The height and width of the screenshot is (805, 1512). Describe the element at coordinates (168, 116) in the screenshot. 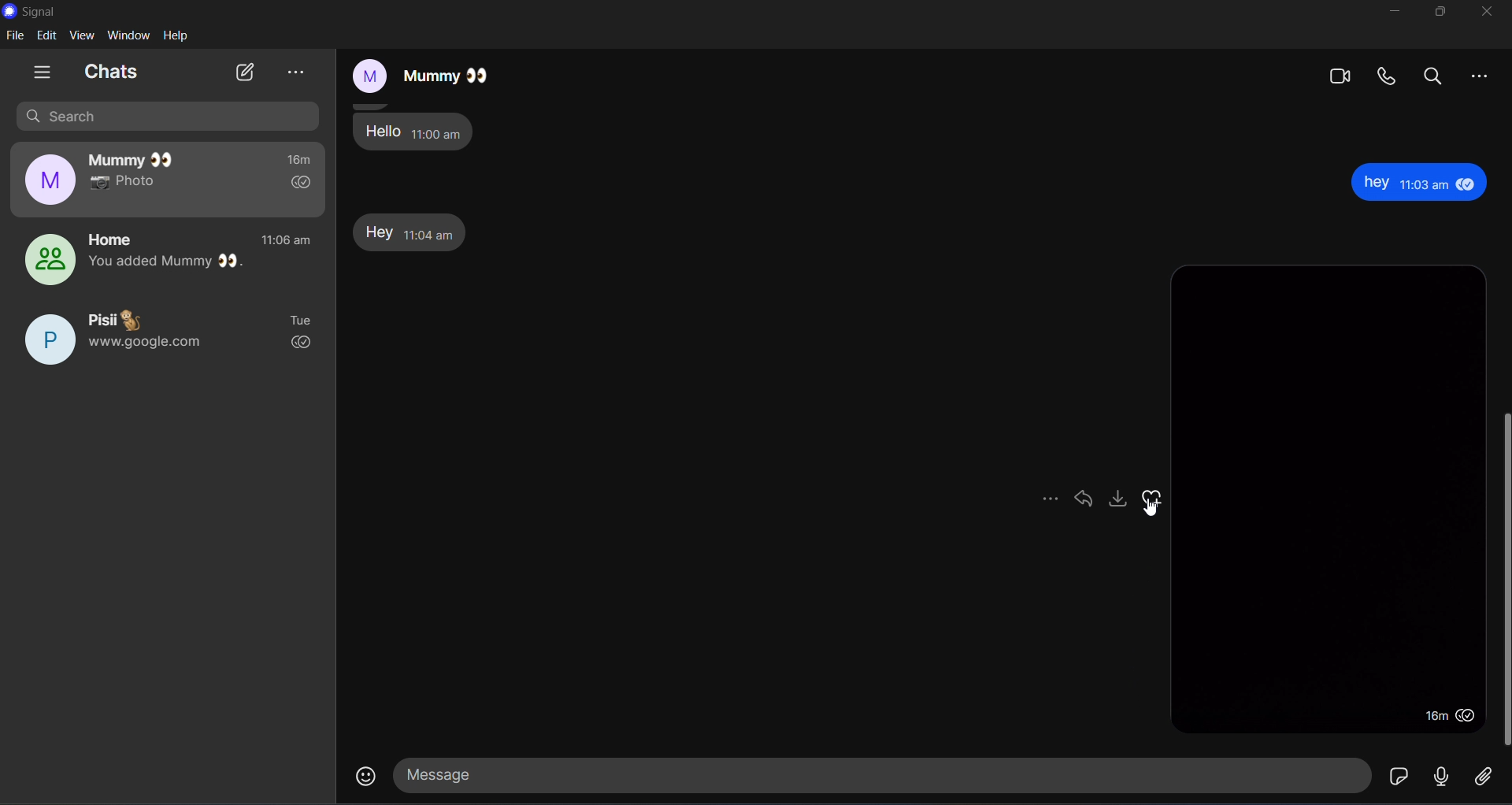

I see `search` at that location.